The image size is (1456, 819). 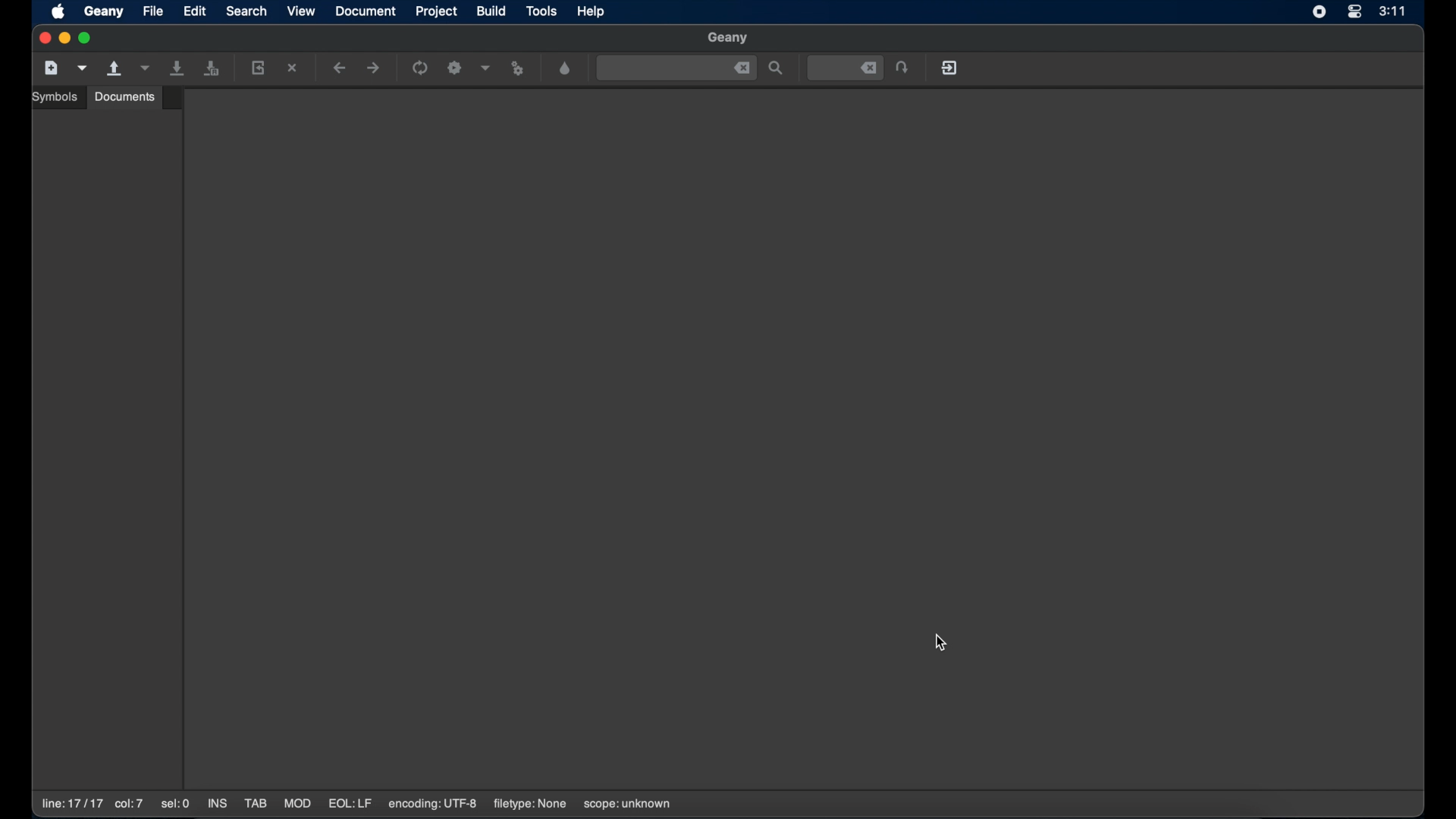 What do you see at coordinates (438, 11) in the screenshot?
I see `project` at bounding box center [438, 11].